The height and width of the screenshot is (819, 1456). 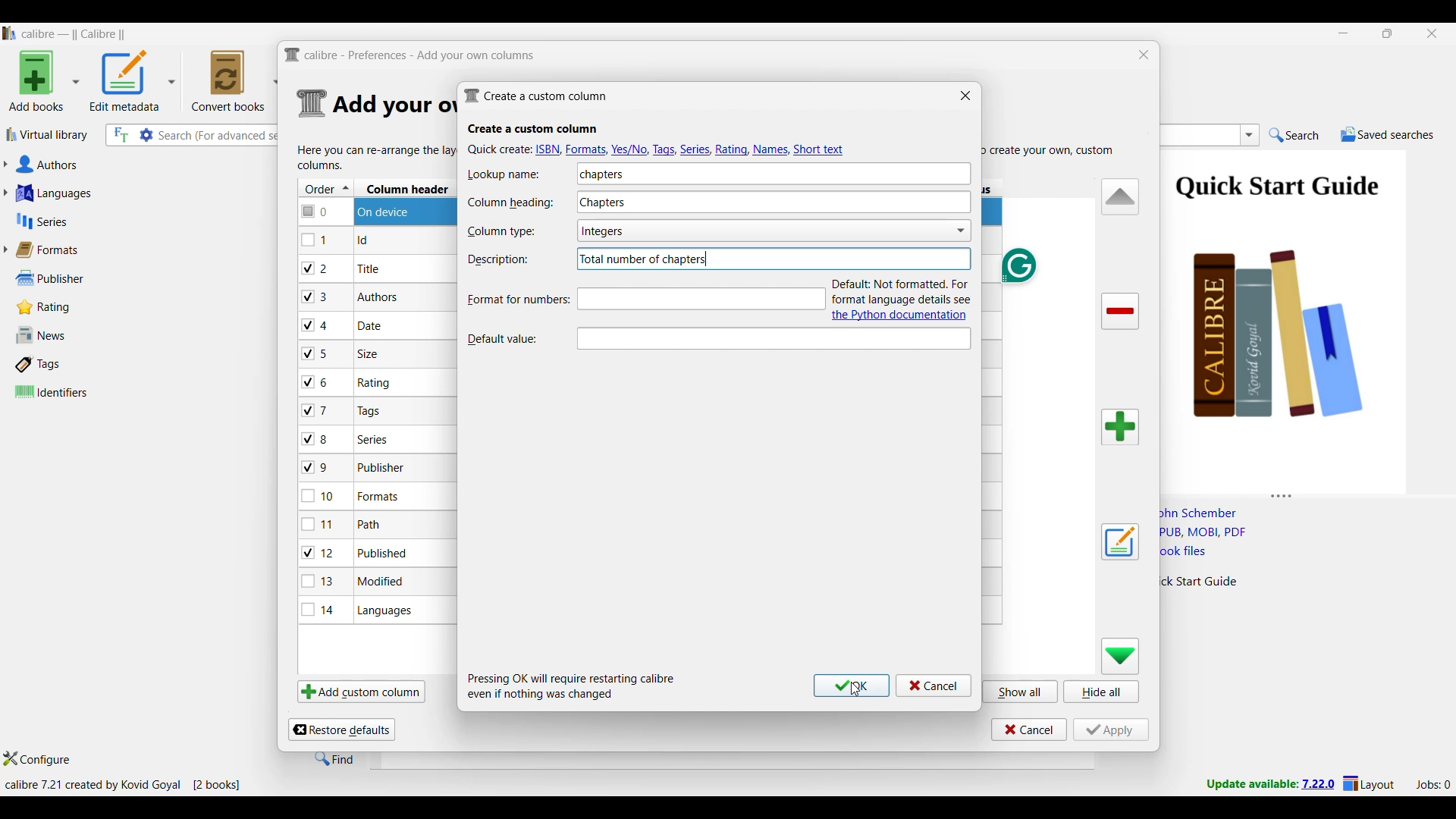 What do you see at coordinates (703, 300) in the screenshot?
I see `Typing in description, text box highlighted` at bounding box center [703, 300].